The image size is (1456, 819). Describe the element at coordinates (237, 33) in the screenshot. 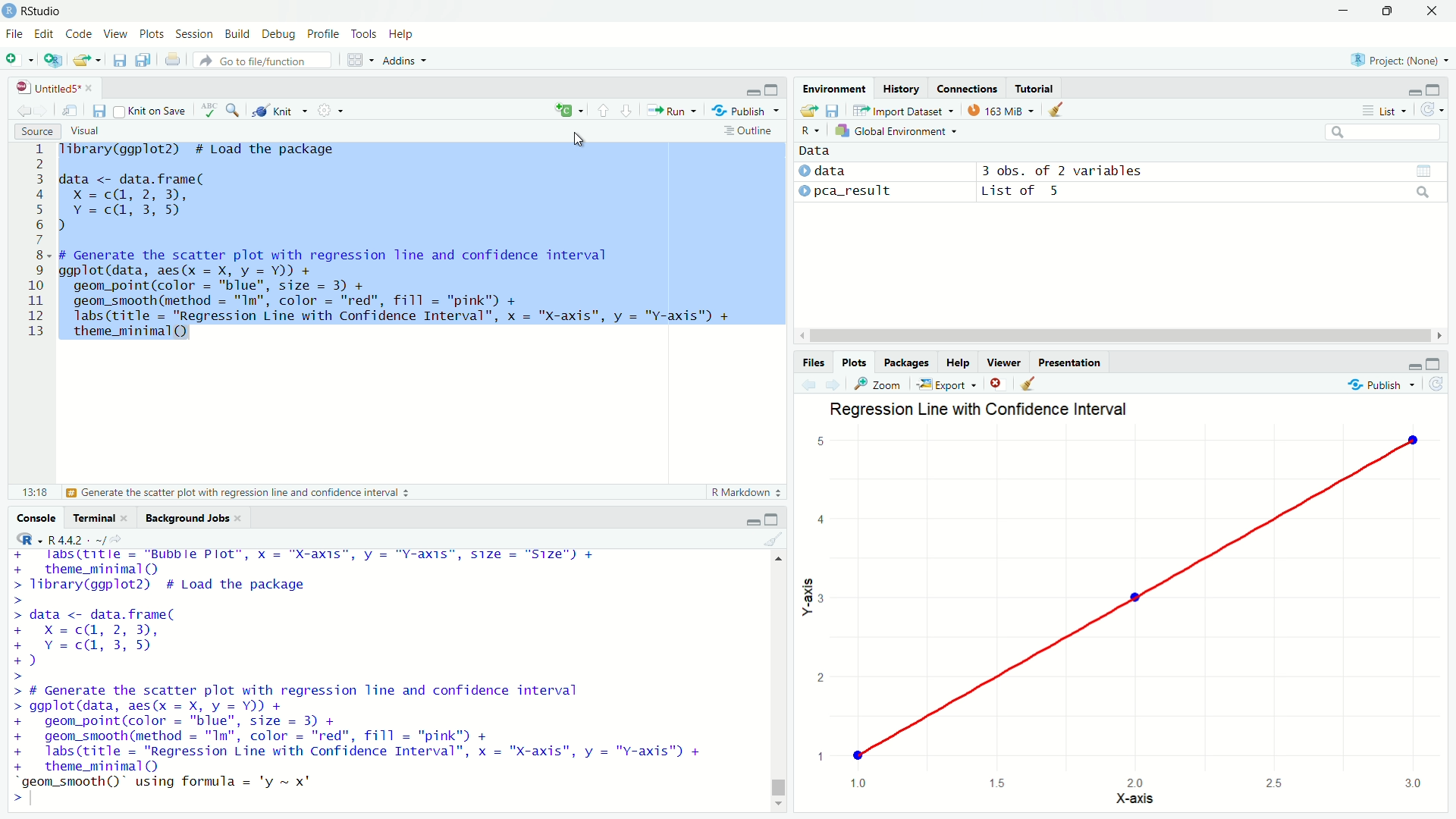

I see `Build` at that location.